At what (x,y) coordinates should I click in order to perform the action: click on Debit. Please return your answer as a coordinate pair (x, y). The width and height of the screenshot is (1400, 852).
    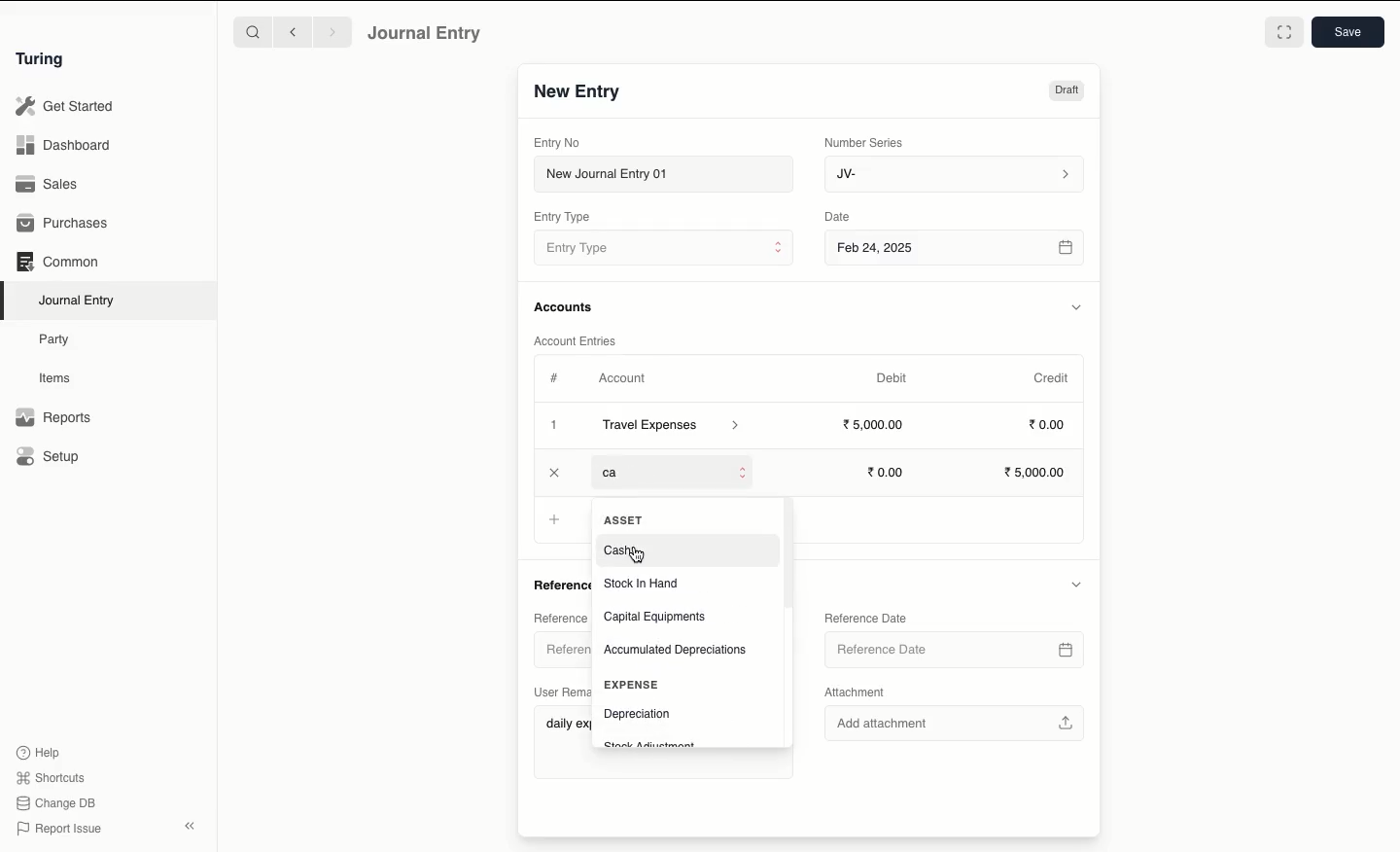
    Looking at the image, I should click on (892, 378).